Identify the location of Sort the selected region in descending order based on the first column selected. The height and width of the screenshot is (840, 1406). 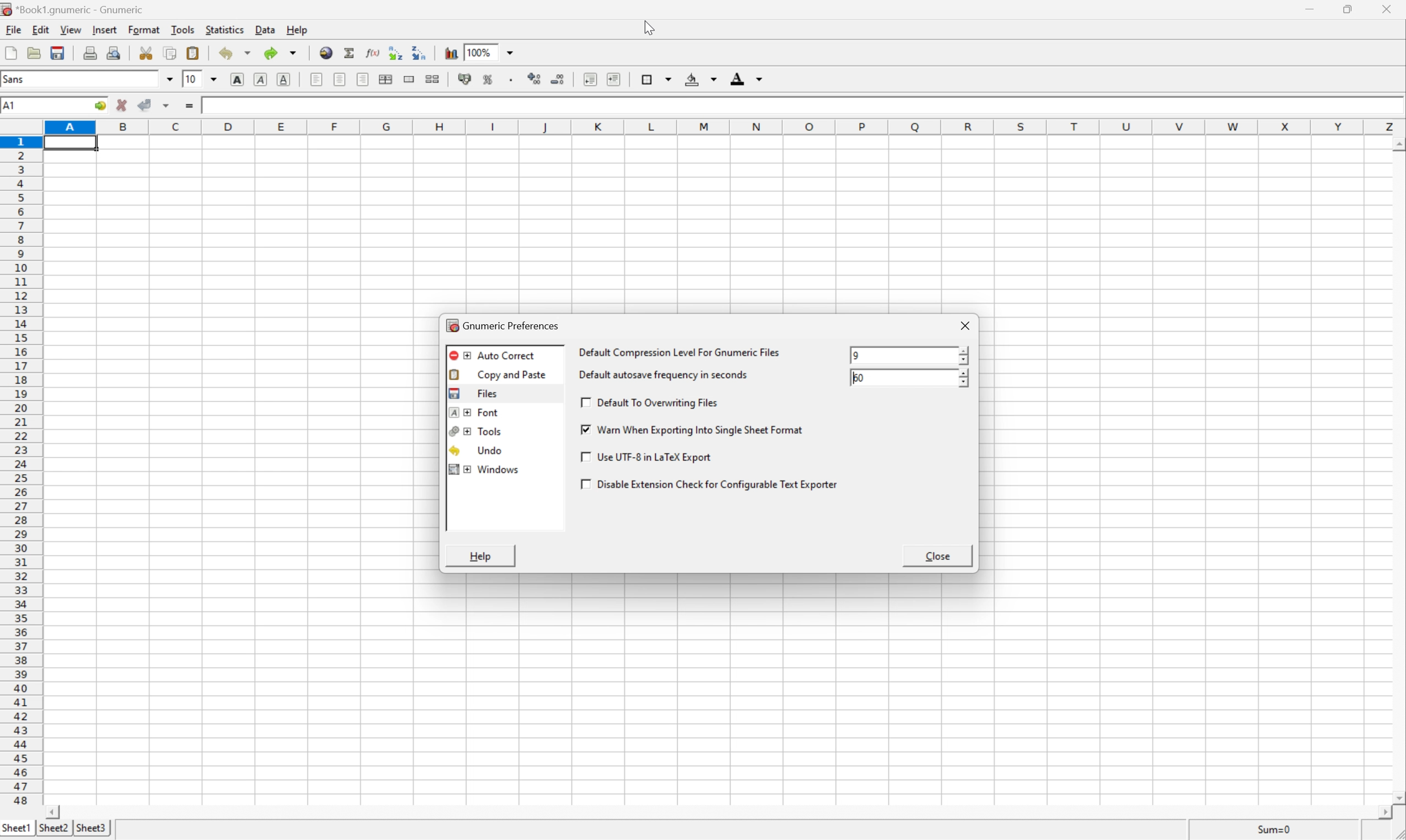
(419, 52).